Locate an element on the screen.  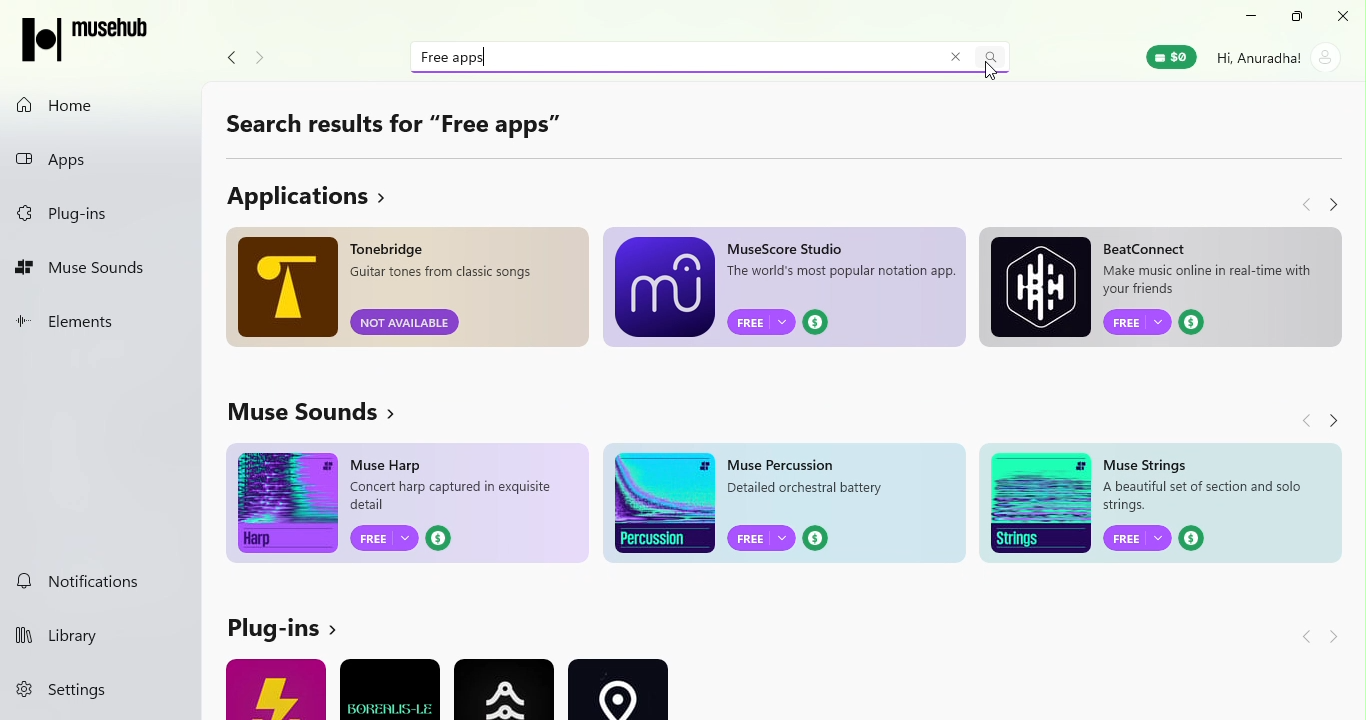
Library is located at coordinates (95, 637).